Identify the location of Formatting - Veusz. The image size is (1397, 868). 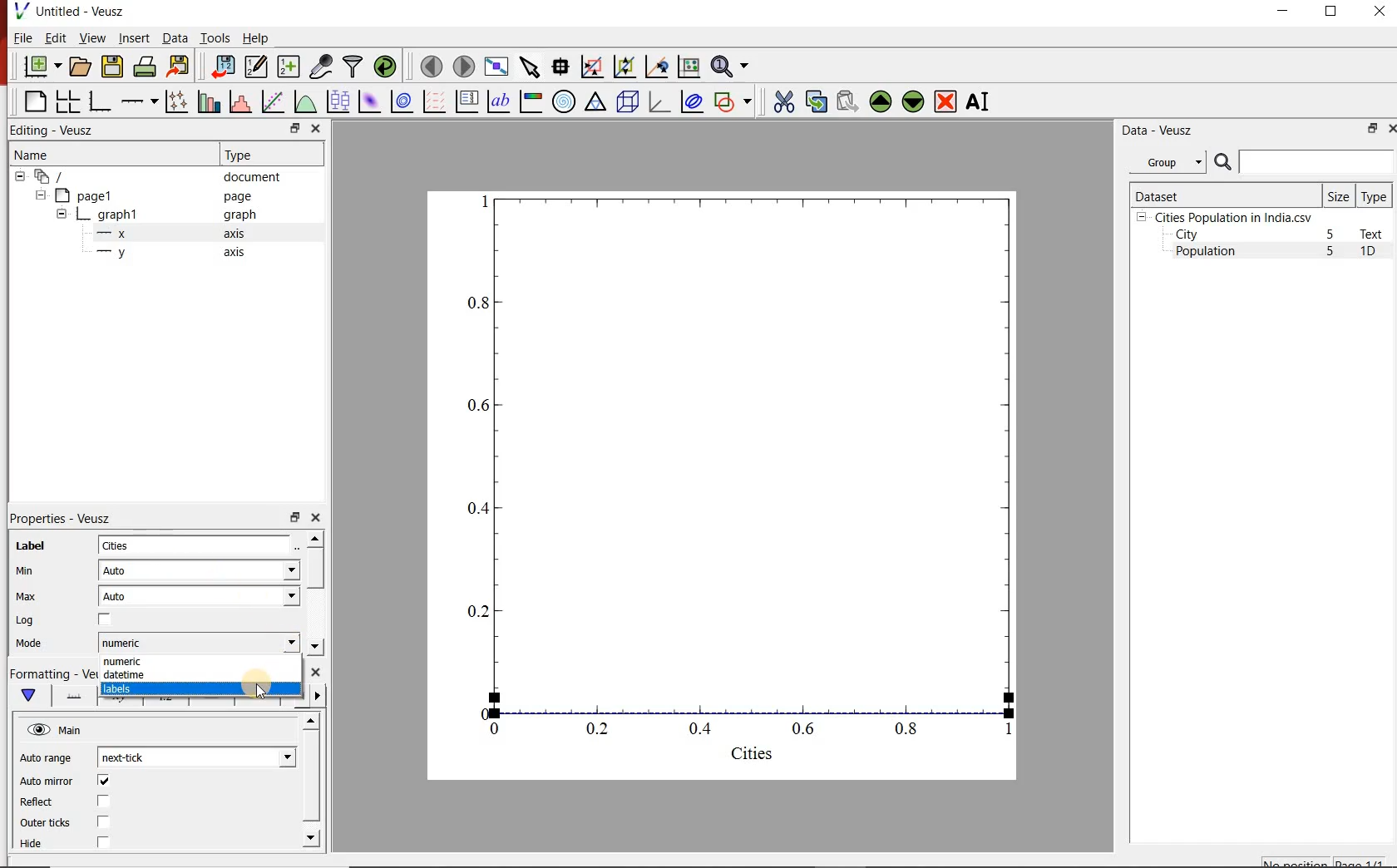
(52, 674).